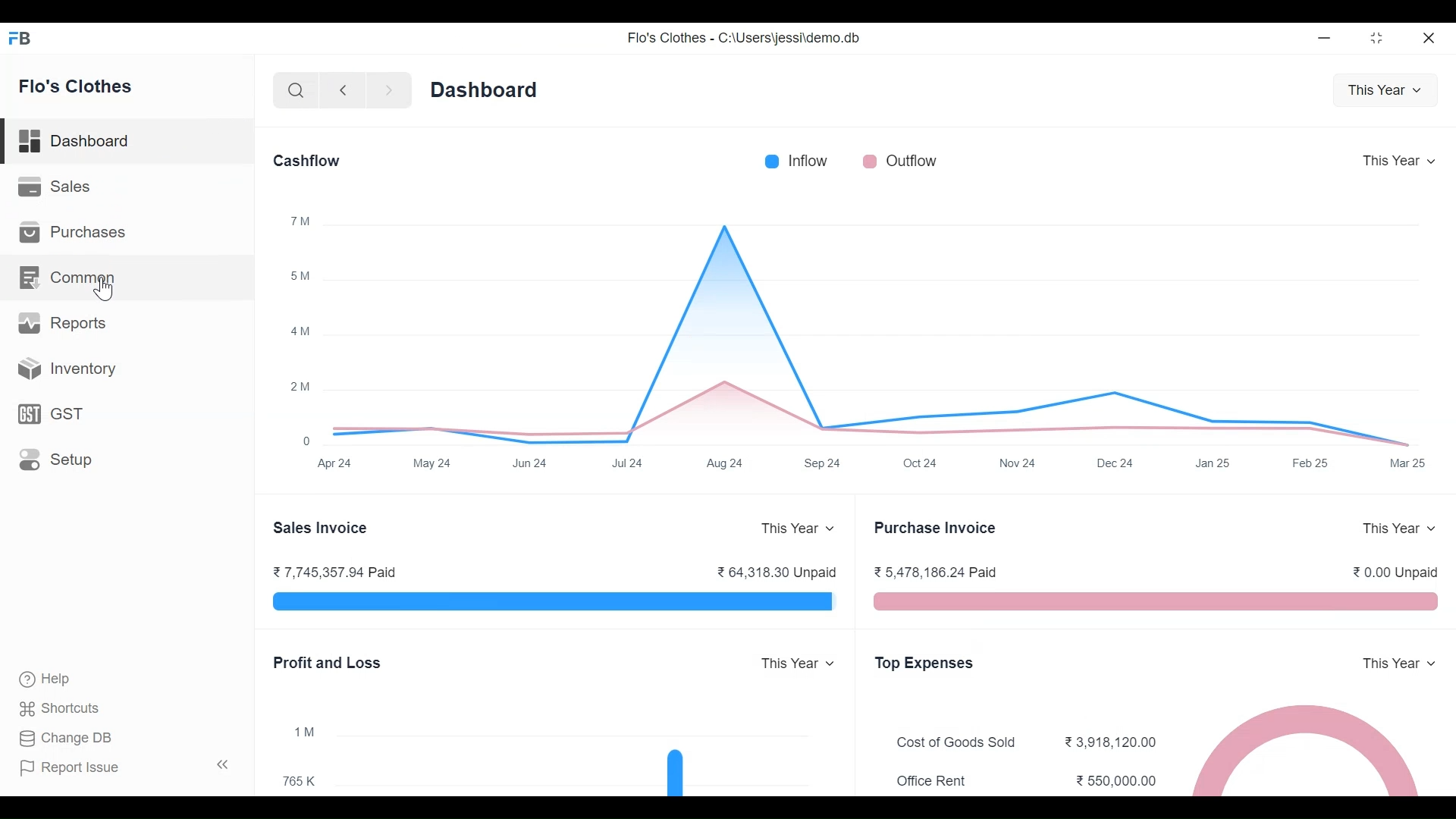 This screenshot has width=1456, height=819. I want to click on Profit and Loss, so click(329, 663).